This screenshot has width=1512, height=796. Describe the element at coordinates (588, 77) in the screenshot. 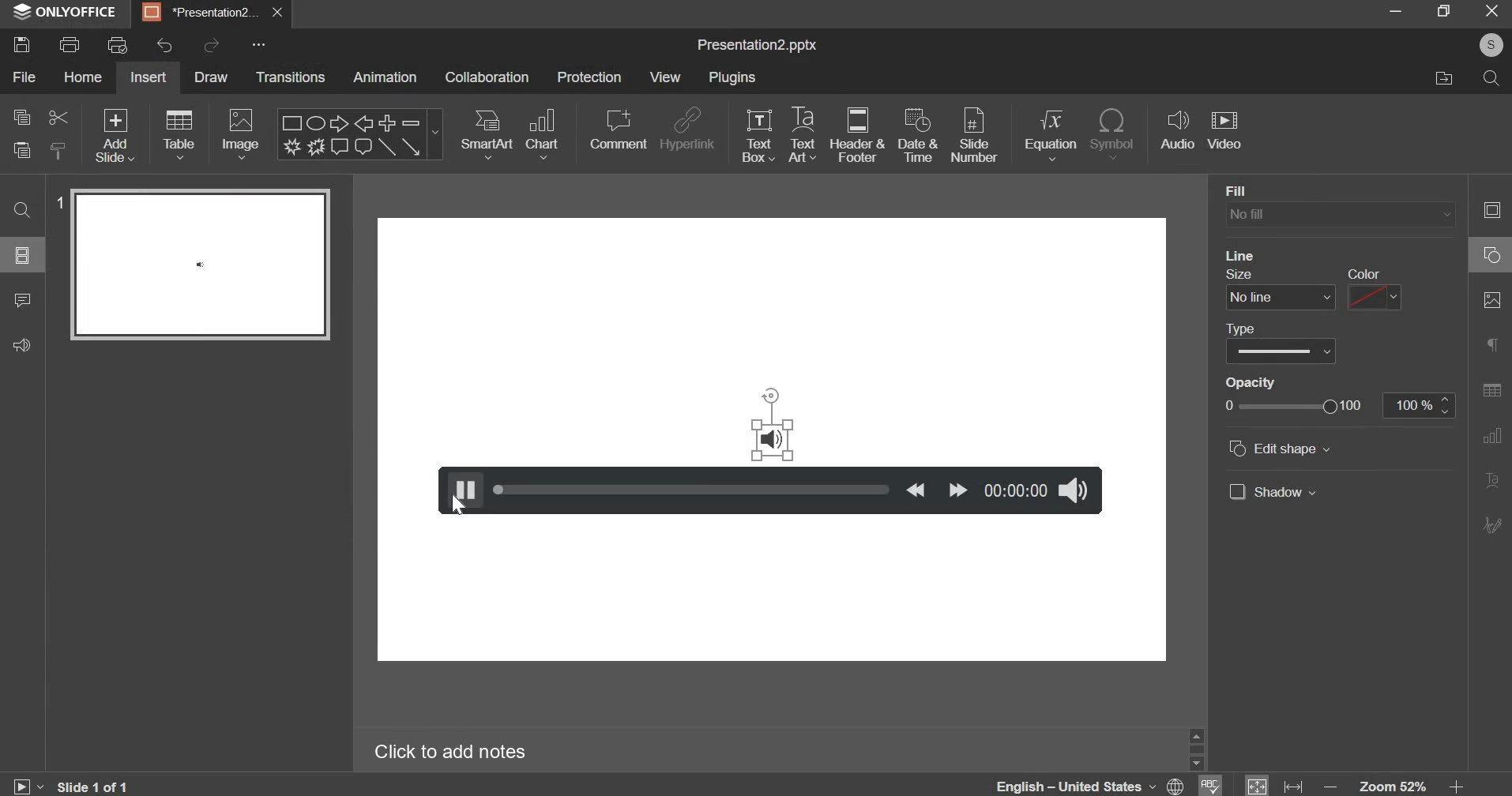

I see `protection` at that location.